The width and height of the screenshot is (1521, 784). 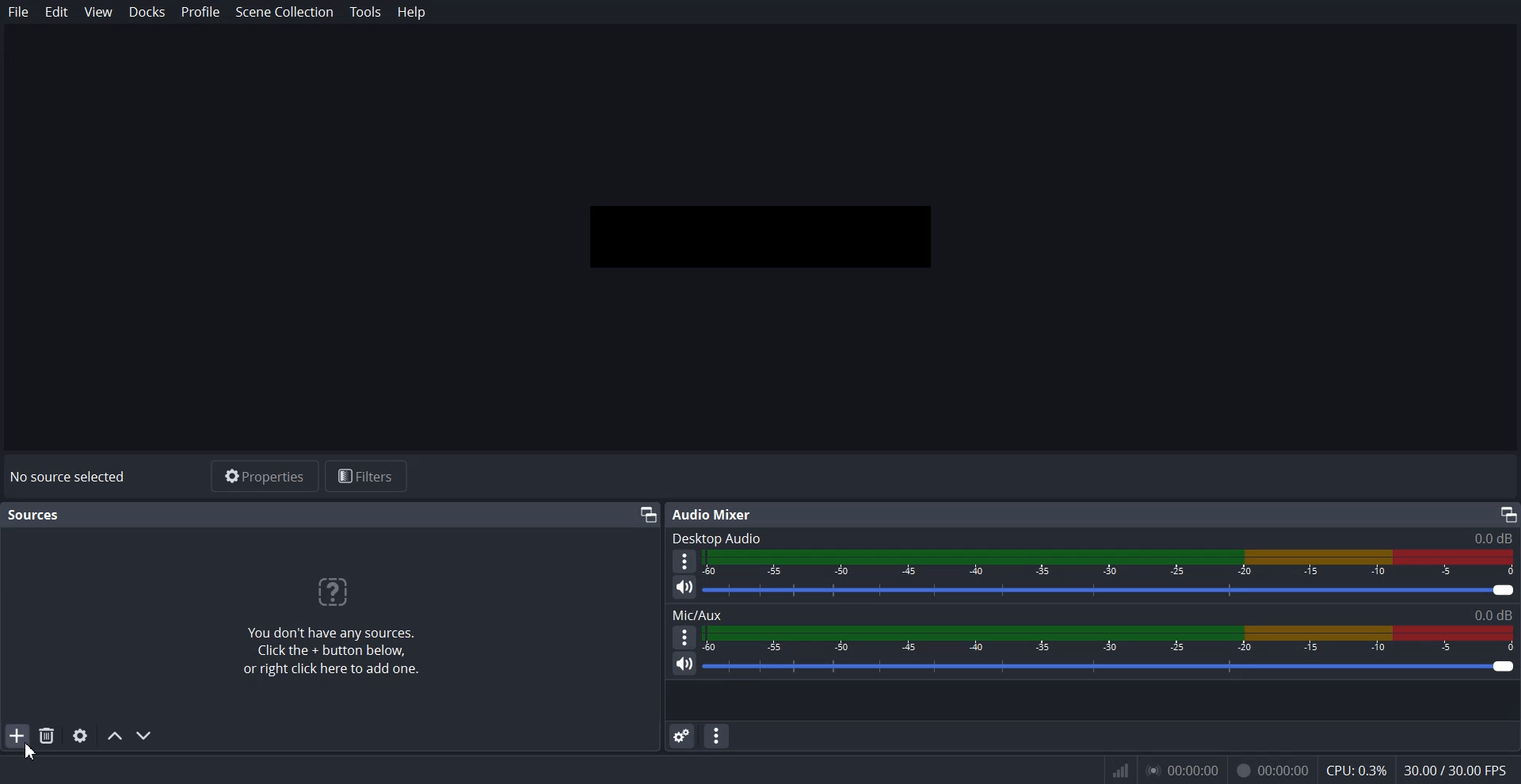 I want to click on Profile, so click(x=200, y=12).